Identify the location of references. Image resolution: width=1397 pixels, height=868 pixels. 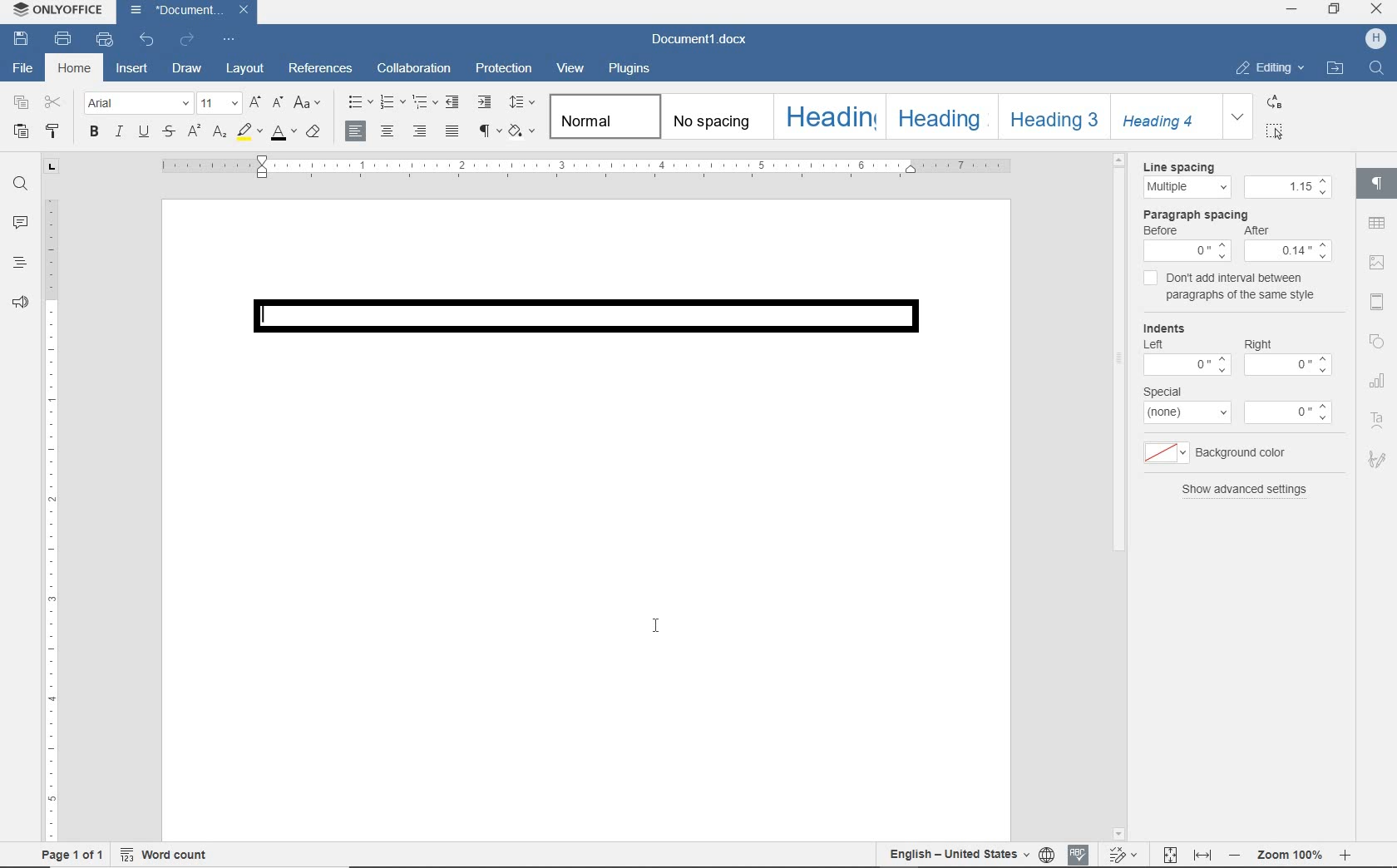
(321, 67).